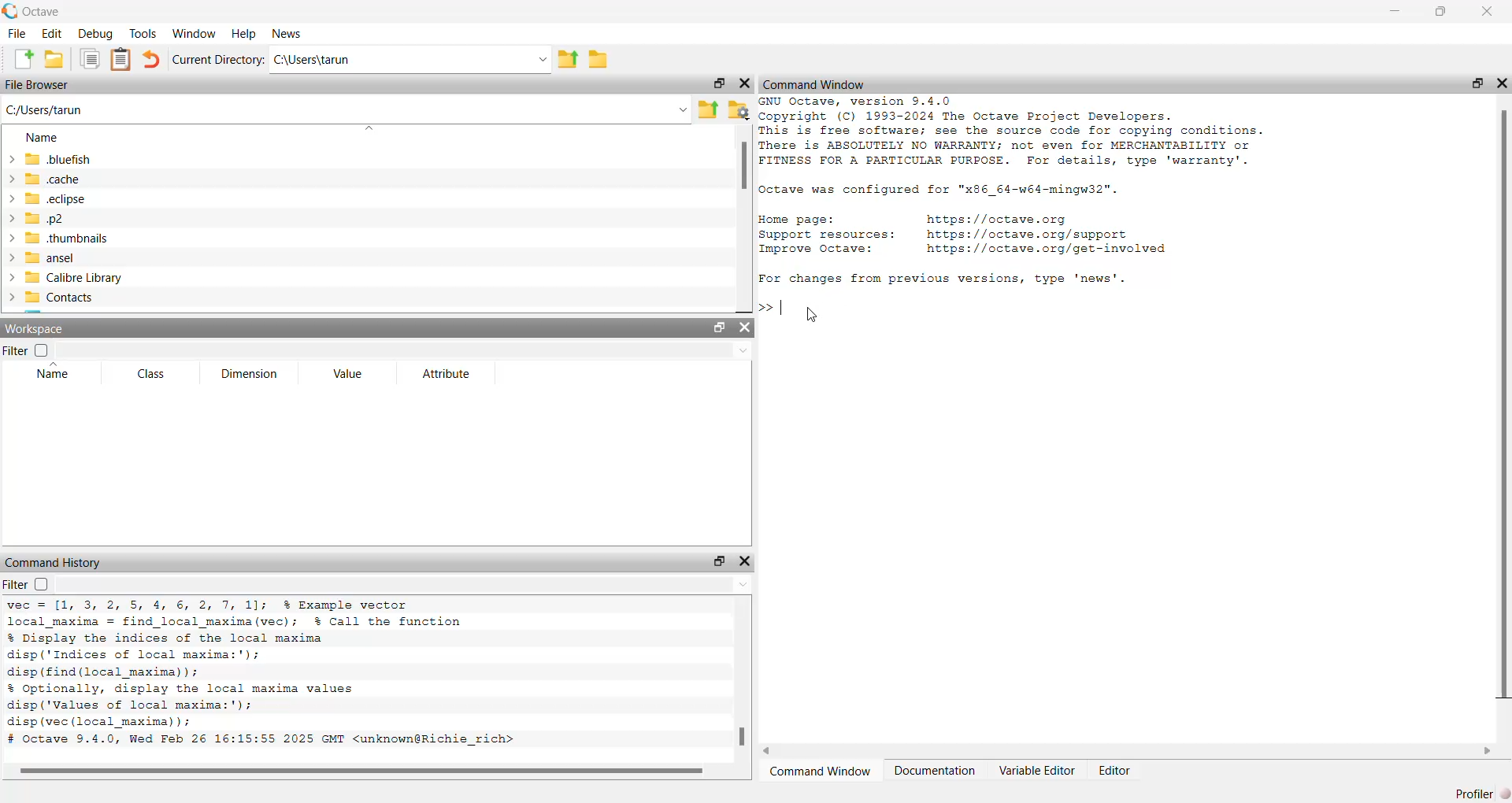 The image size is (1512, 803). What do you see at coordinates (1440, 13) in the screenshot?
I see `restore` at bounding box center [1440, 13].